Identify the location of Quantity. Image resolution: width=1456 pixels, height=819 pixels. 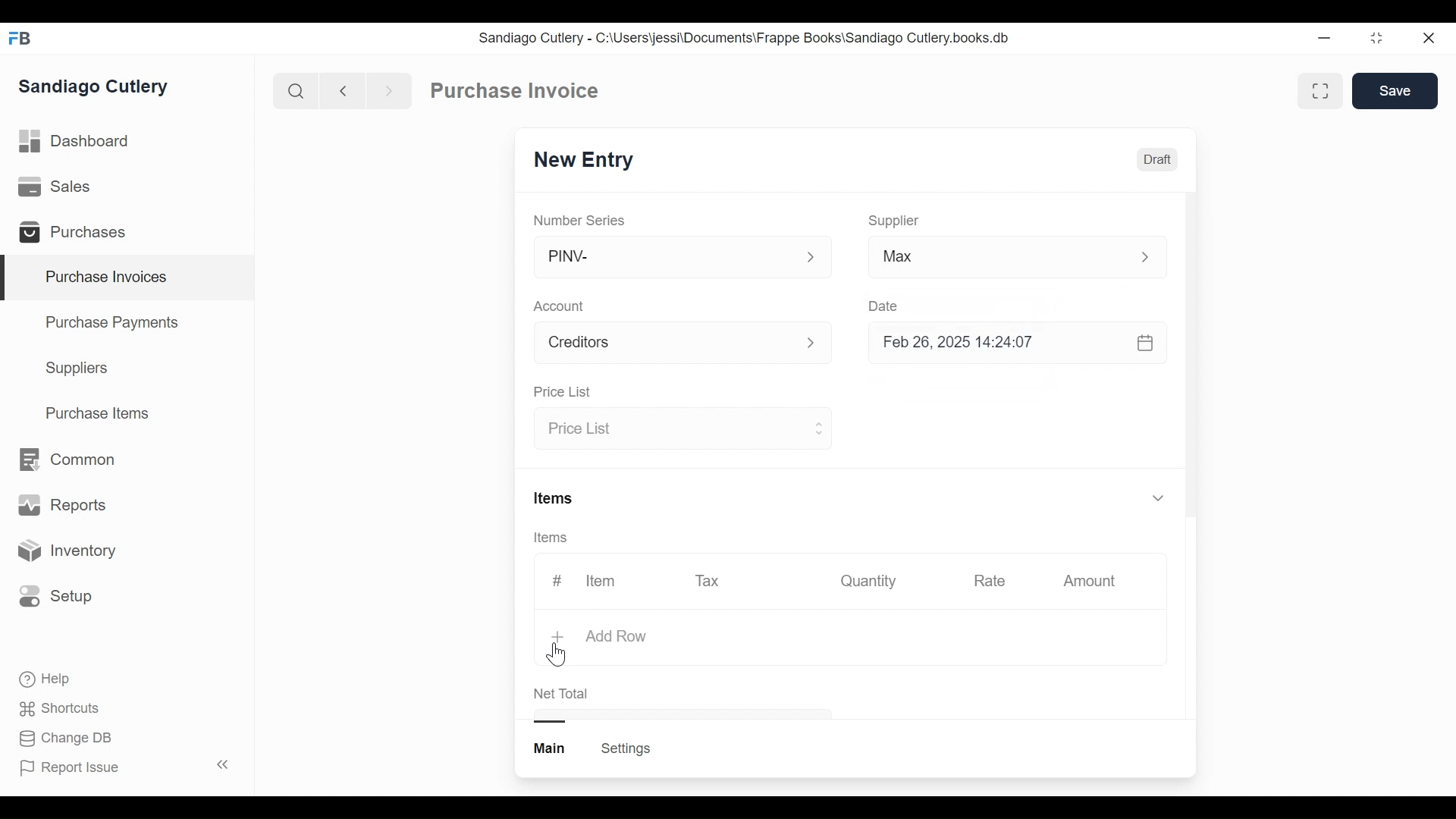
(867, 580).